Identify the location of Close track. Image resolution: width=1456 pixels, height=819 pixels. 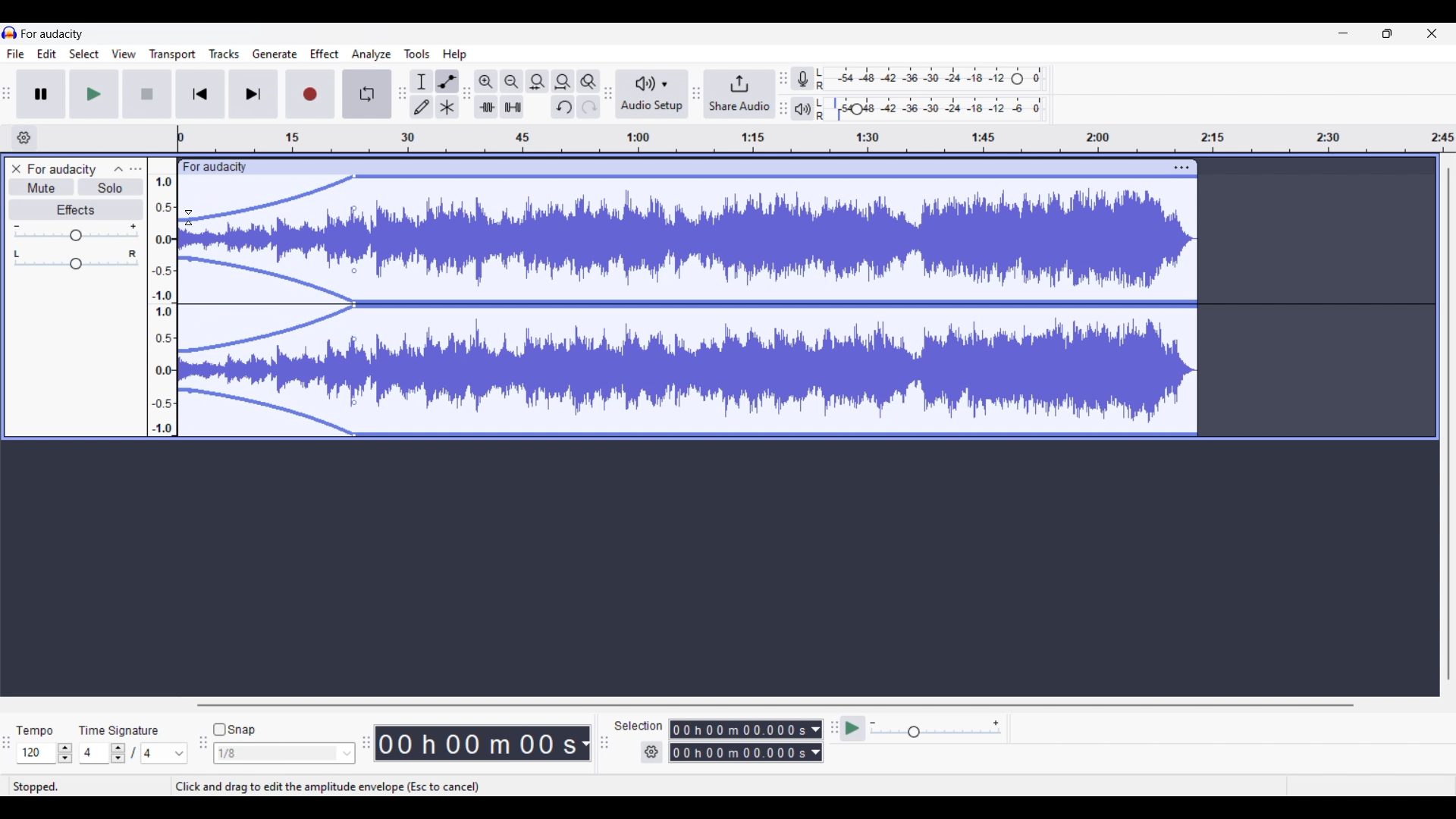
(17, 168).